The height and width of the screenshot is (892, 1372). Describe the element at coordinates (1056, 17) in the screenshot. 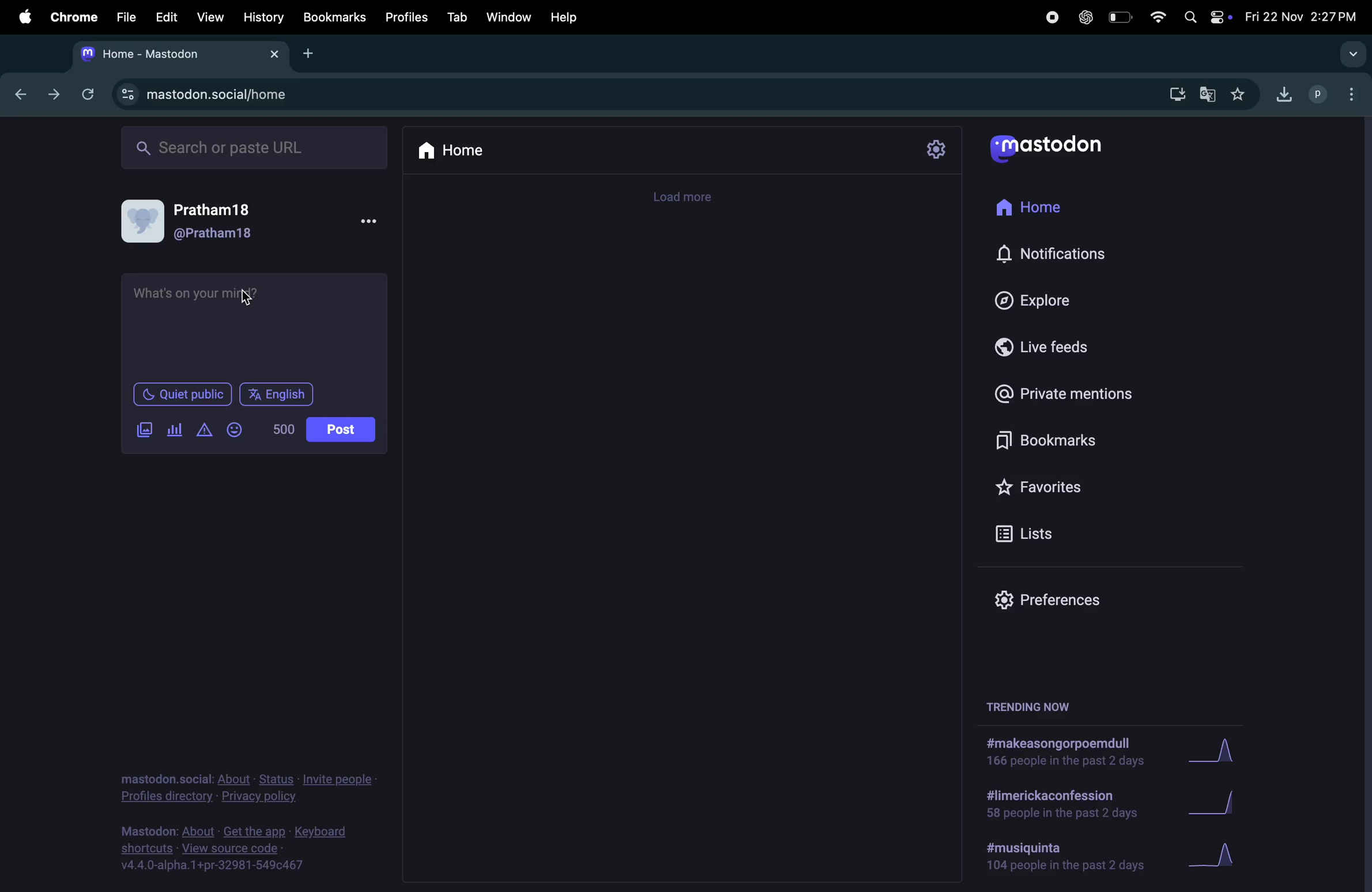

I see `record` at that location.